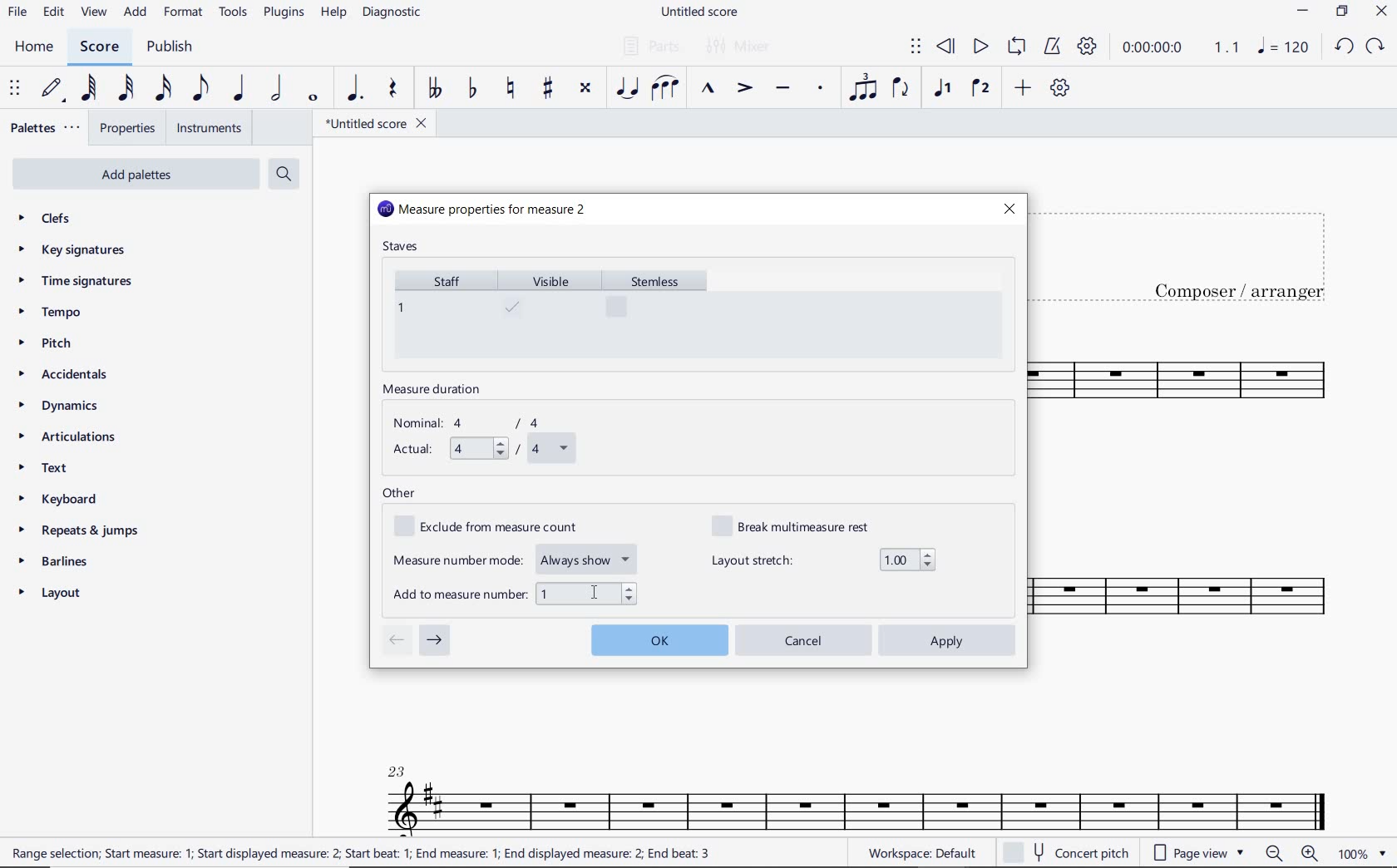 This screenshot has width=1397, height=868. I want to click on measure duration, so click(437, 391).